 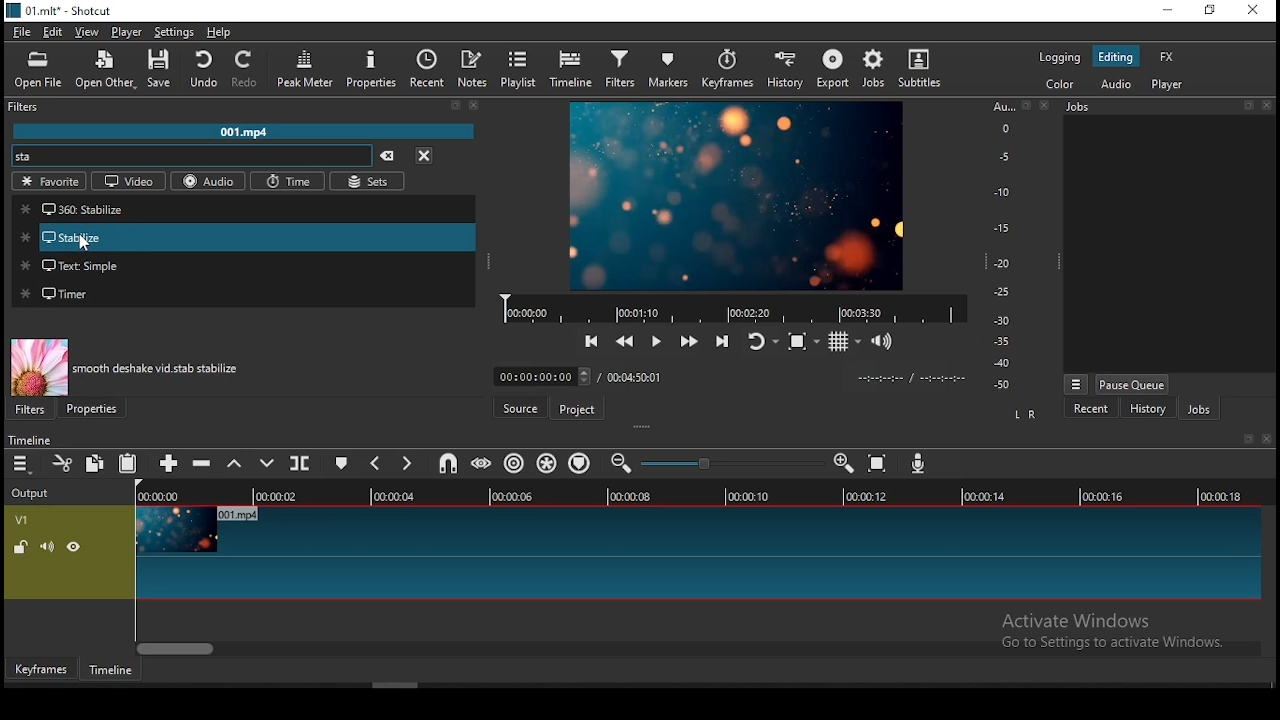 I want to click on minimize, so click(x=1168, y=10).